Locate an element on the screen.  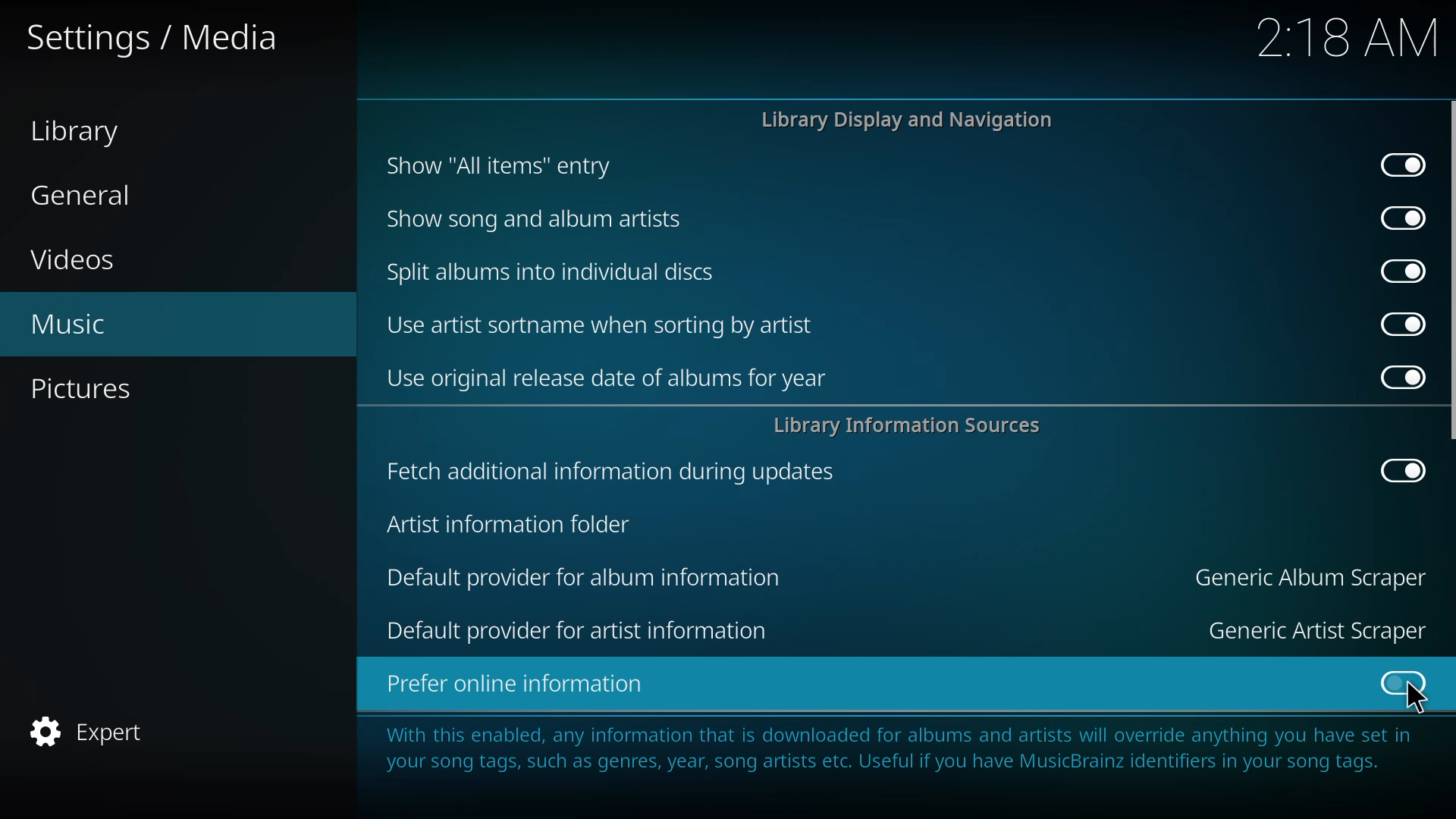
generic is located at coordinates (1317, 629).